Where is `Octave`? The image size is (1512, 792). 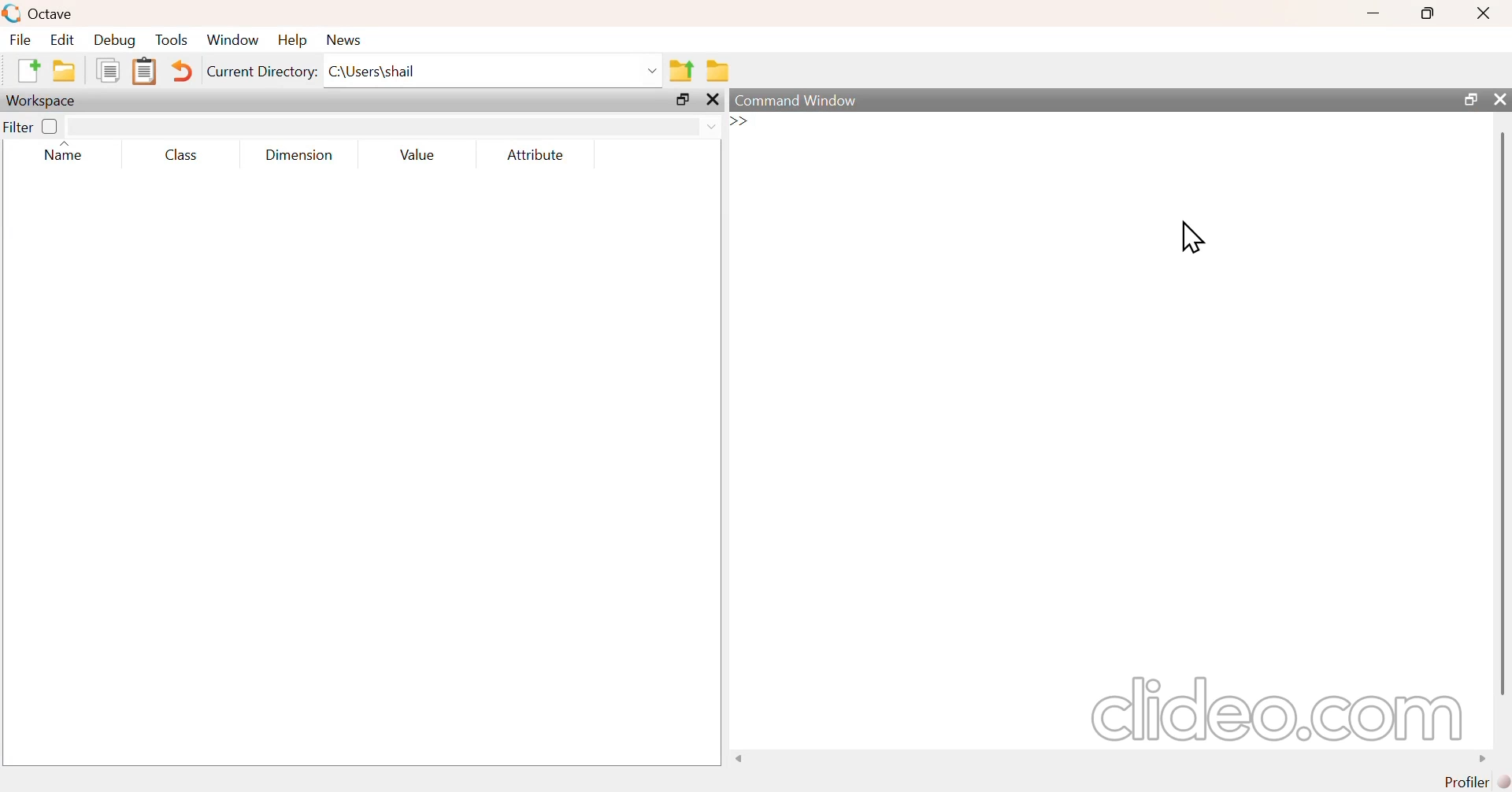
Octave is located at coordinates (54, 12).